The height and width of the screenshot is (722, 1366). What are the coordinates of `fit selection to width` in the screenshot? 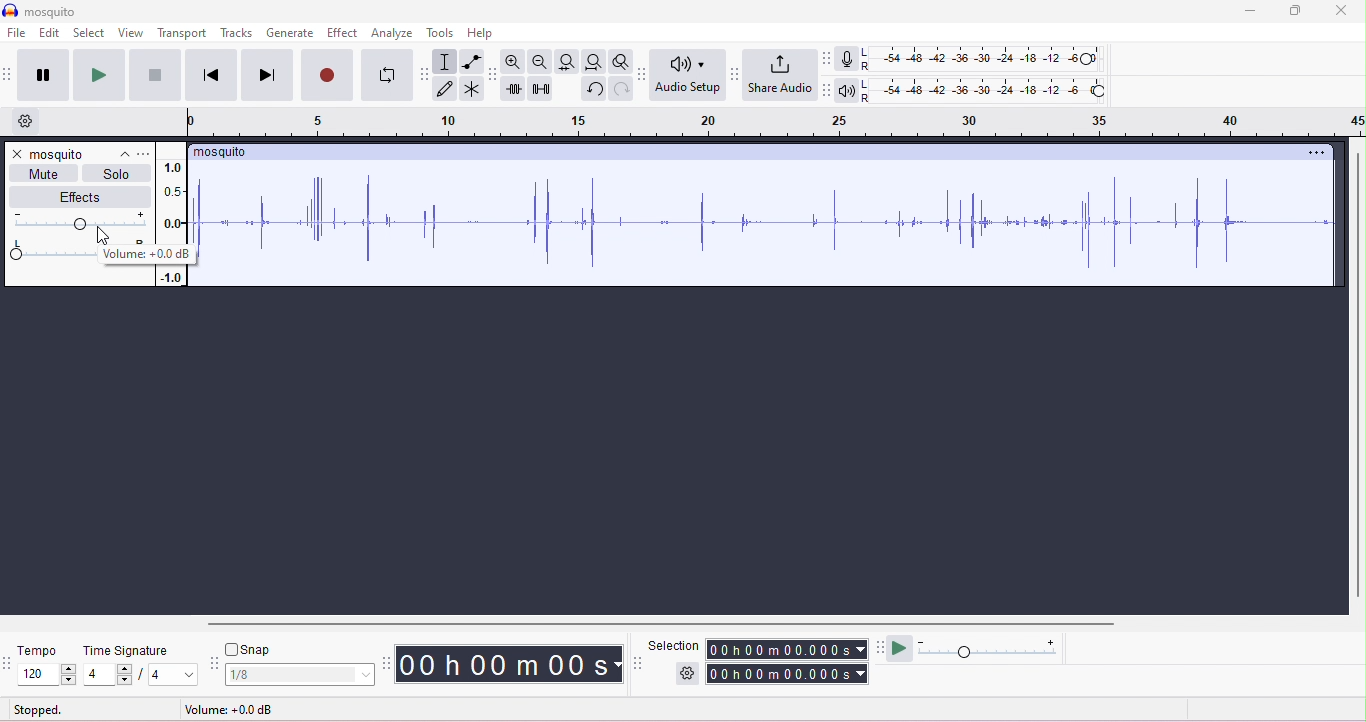 It's located at (567, 62).